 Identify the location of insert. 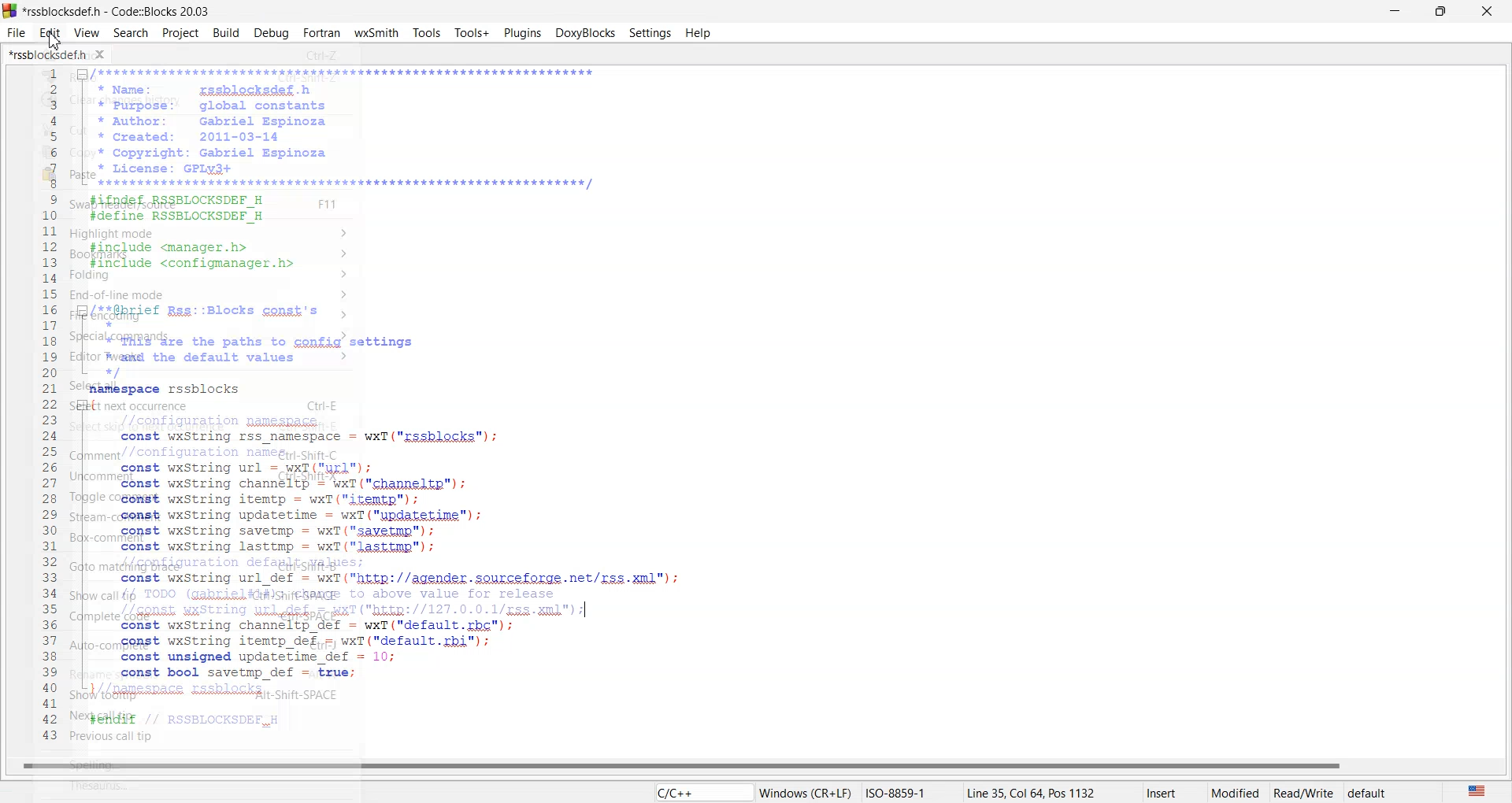
(1174, 791).